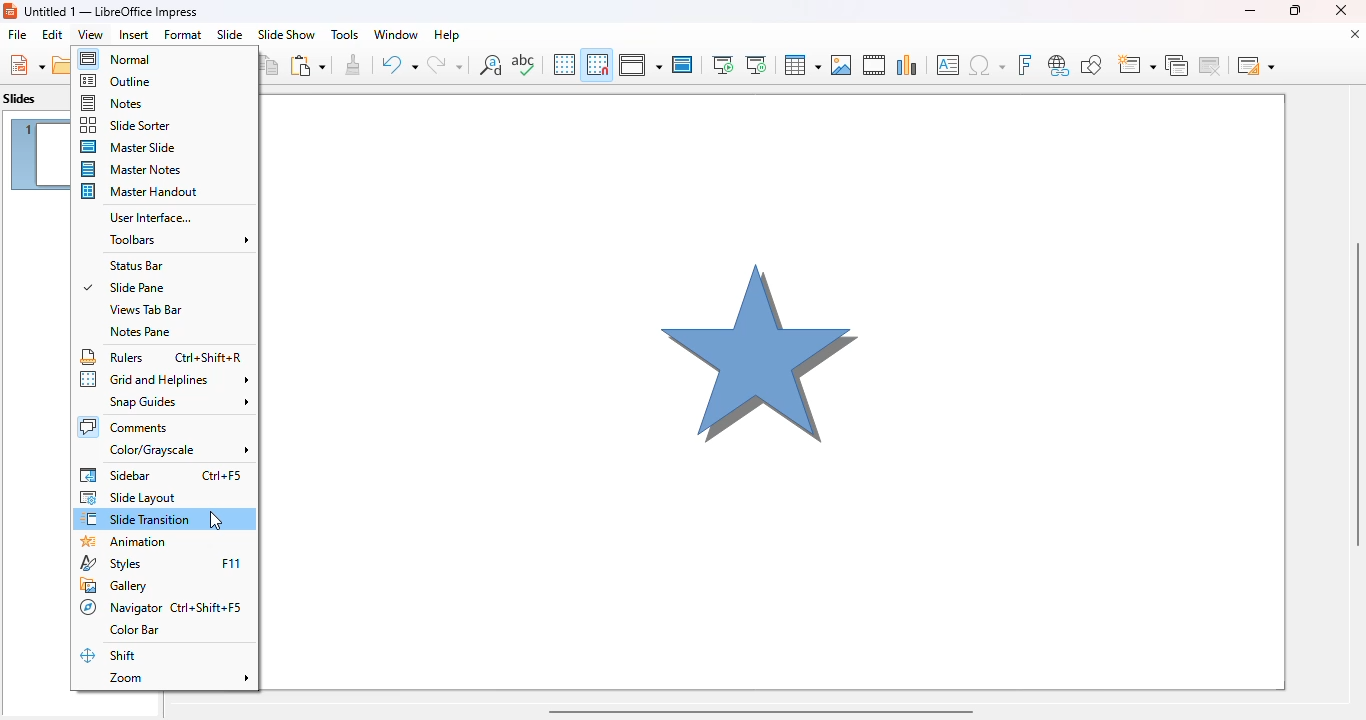  I want to click on window, so click(396, 35).